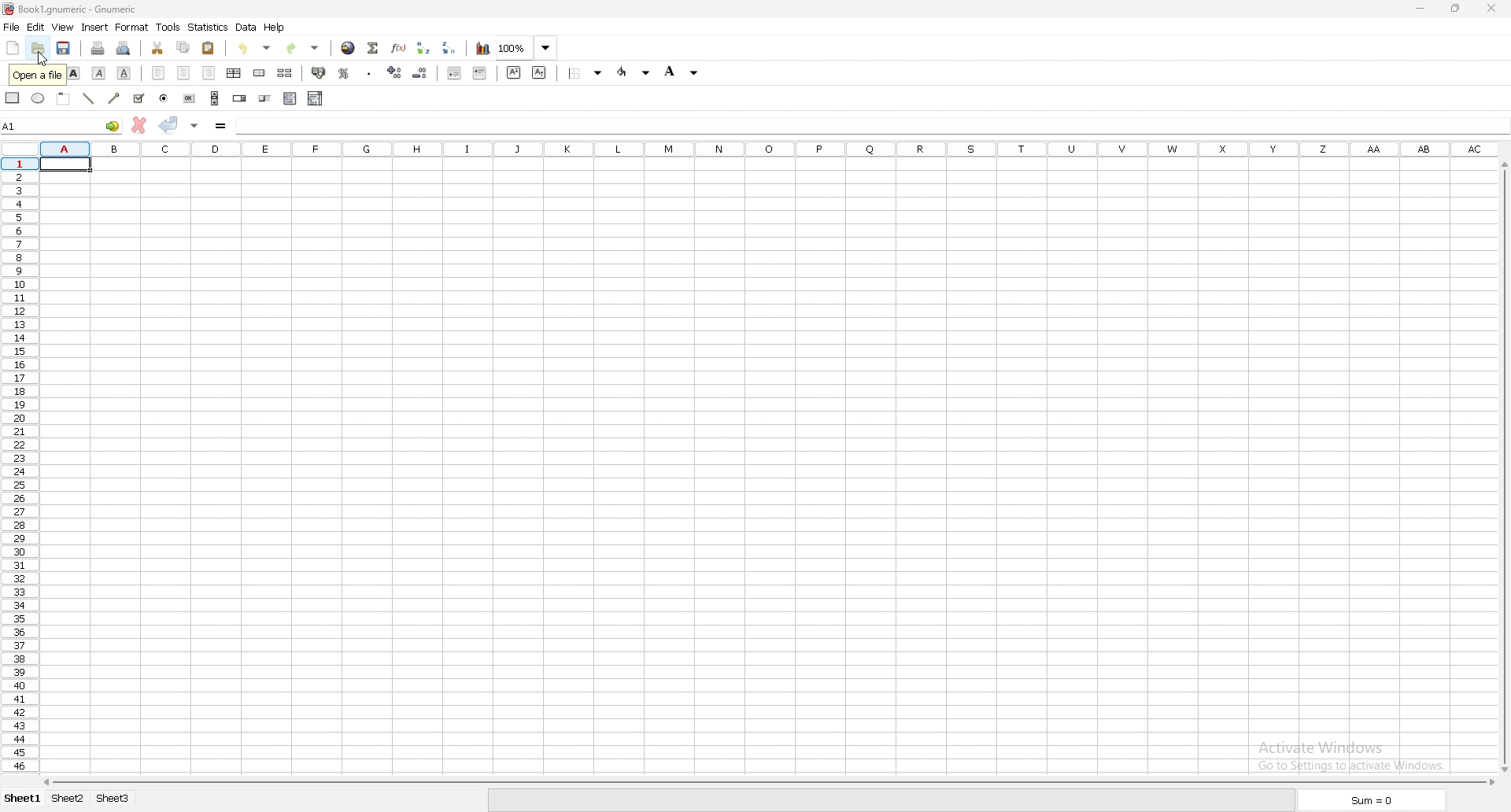 The width and height of the screenshot is (1511, 812). What do you see at coordinates (164, 98) in the screenshot?
I see `radio button` at bounding box center [164, 98].